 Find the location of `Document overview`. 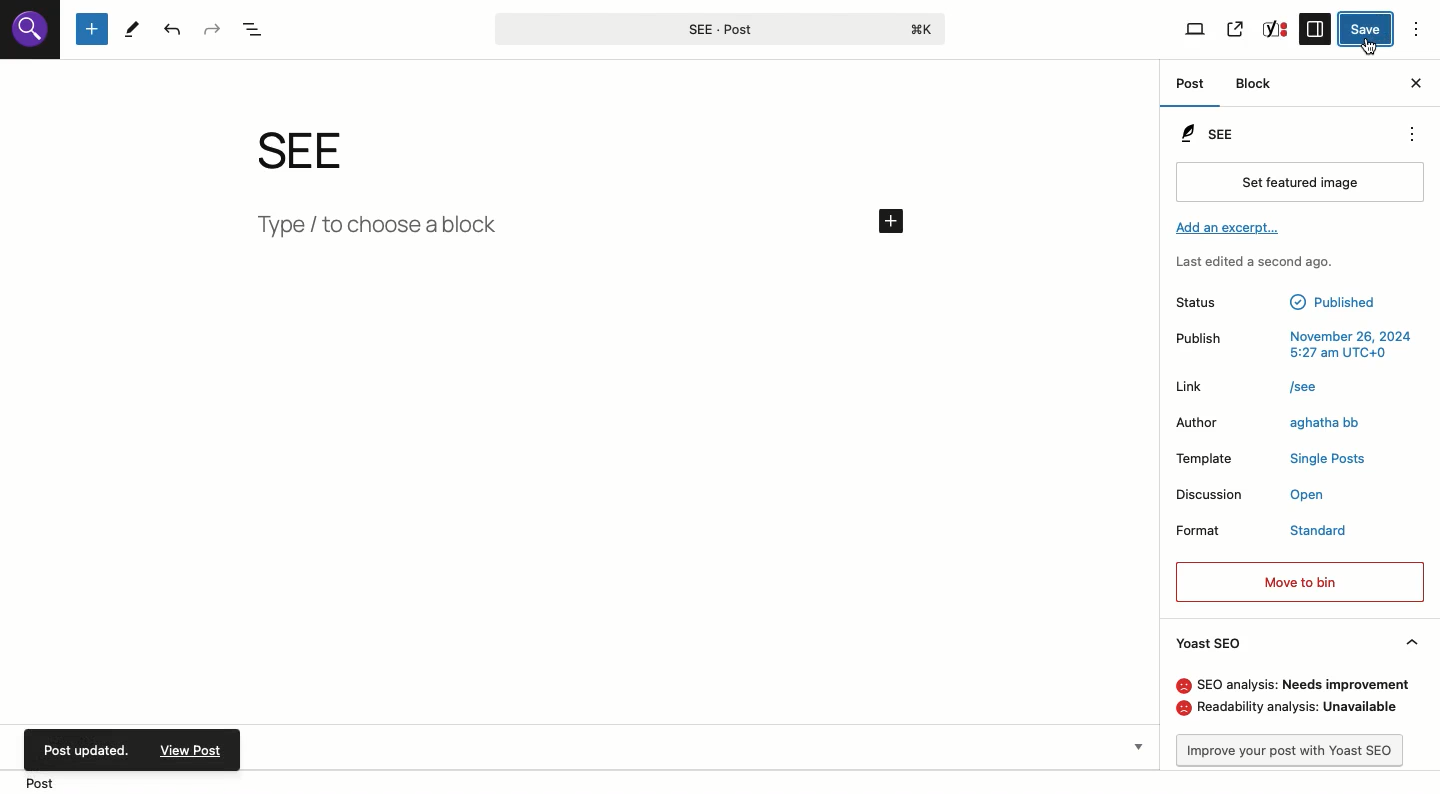

Document overview is located at coordinates (256, 28).